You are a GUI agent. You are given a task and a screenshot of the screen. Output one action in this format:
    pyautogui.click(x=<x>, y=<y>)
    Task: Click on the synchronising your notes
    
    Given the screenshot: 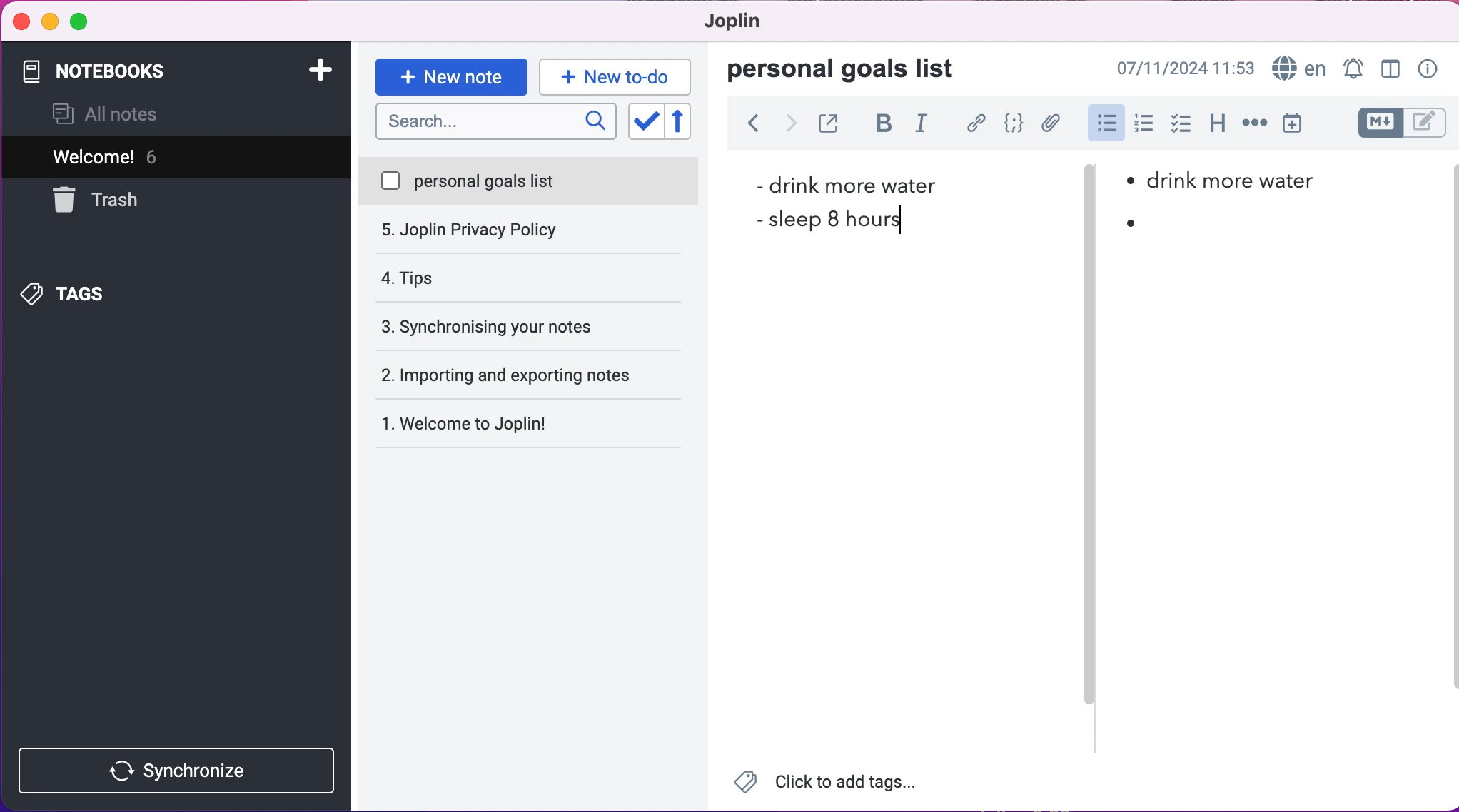 What is the action you would take?
    pyautogui.click(x=530, y=278)
    